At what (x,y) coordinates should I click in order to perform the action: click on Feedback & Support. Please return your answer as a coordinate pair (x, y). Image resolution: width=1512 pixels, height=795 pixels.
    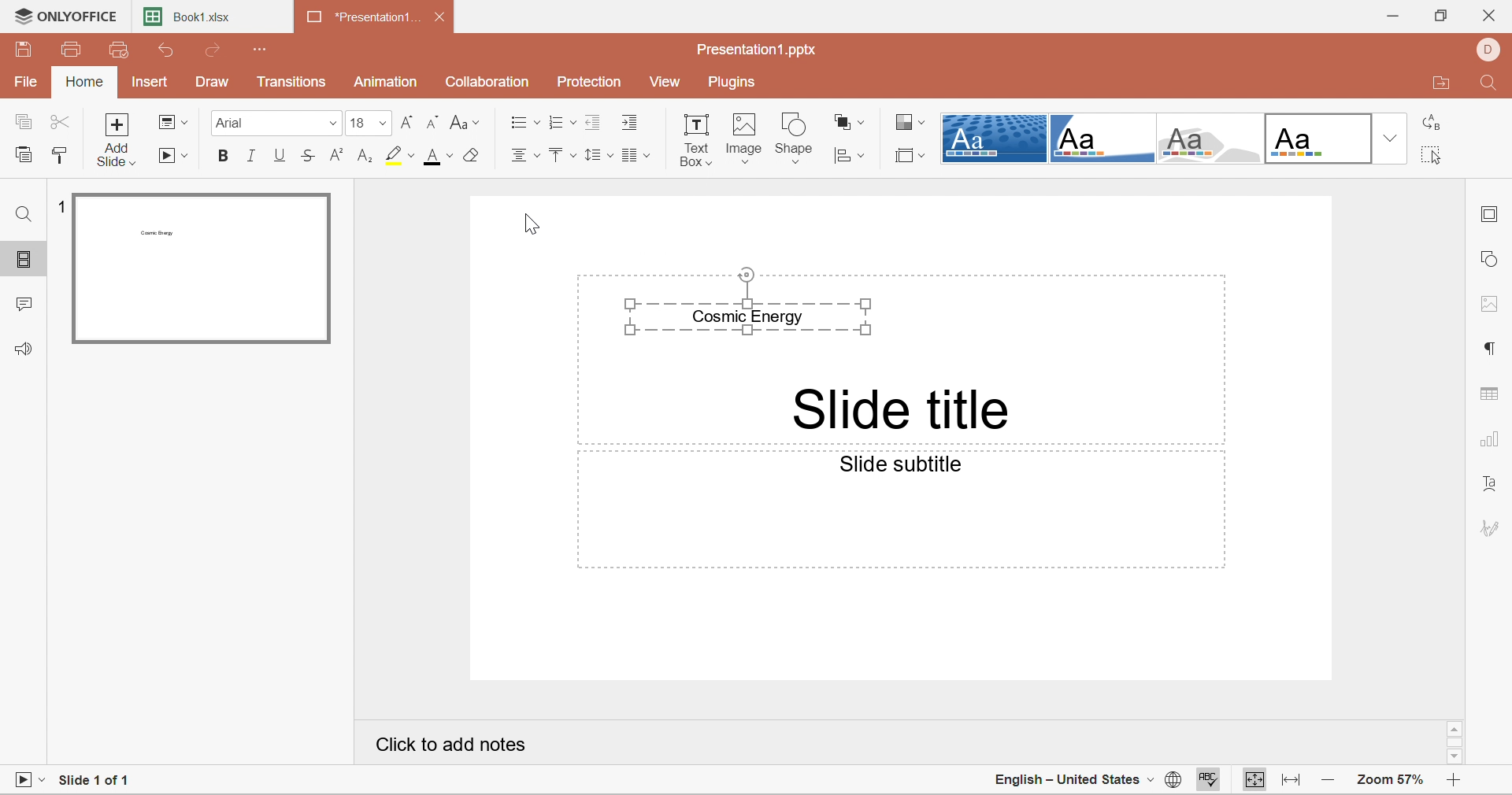
    Looking at the image, I should click on (23, 349).